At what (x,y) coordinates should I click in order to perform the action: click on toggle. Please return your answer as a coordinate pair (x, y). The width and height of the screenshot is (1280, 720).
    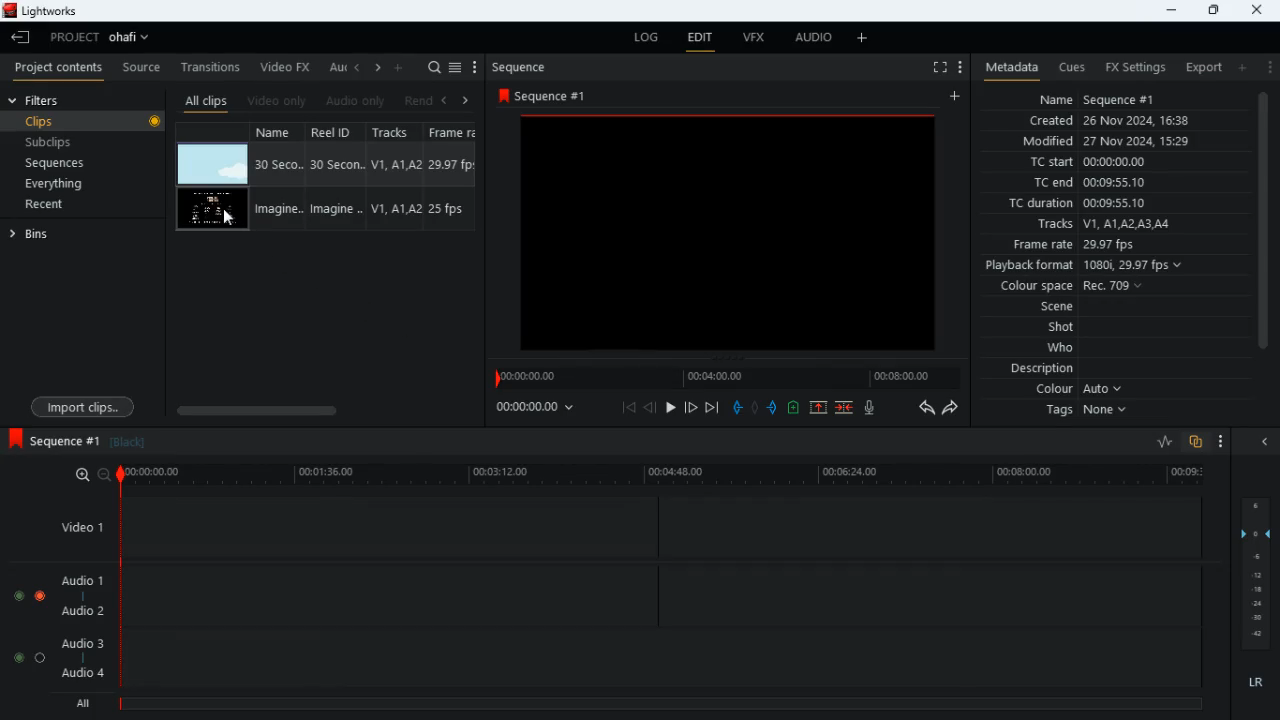
    Looking at the image, I should click on (14, 657).